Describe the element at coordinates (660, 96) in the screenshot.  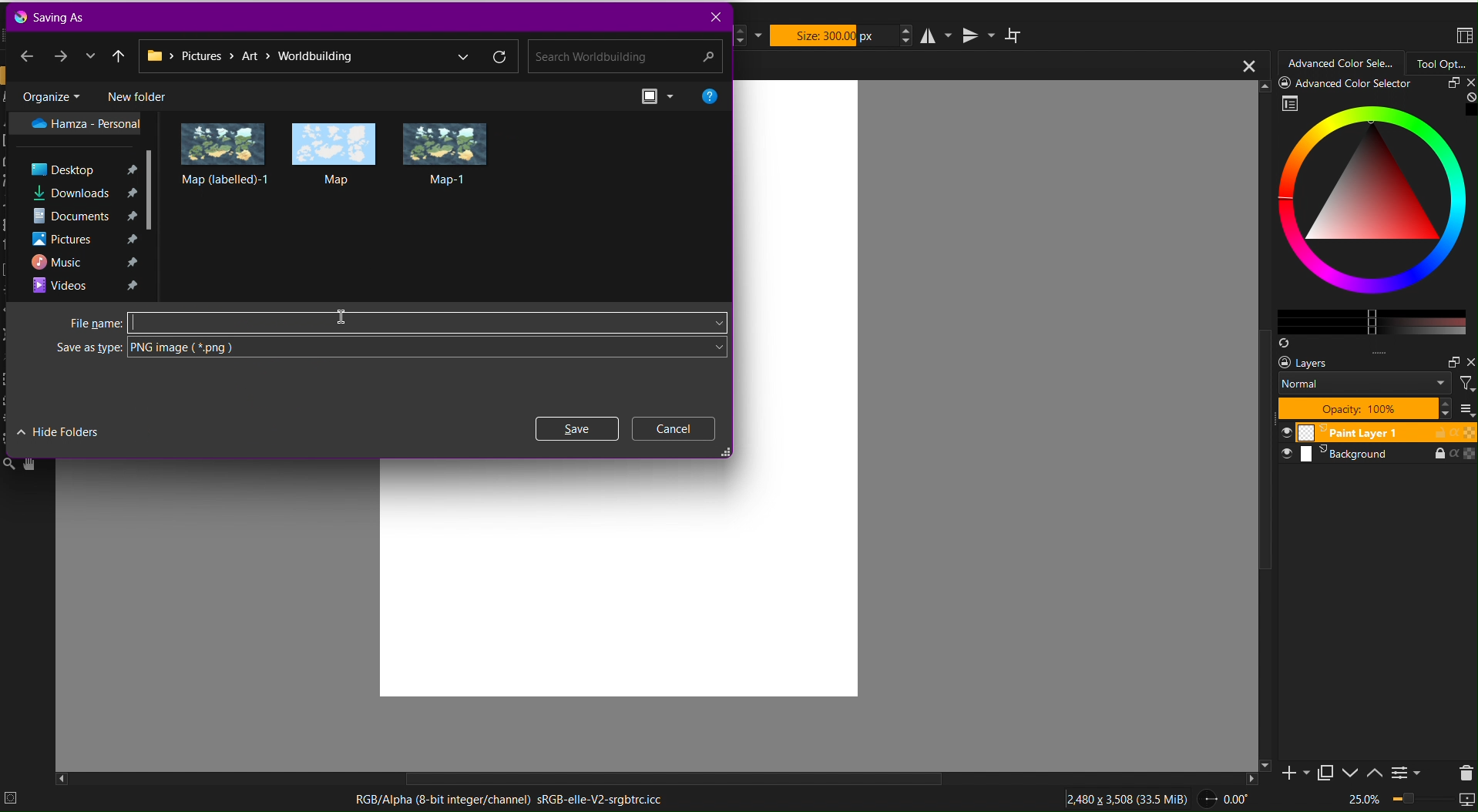
I see `View` at that location.